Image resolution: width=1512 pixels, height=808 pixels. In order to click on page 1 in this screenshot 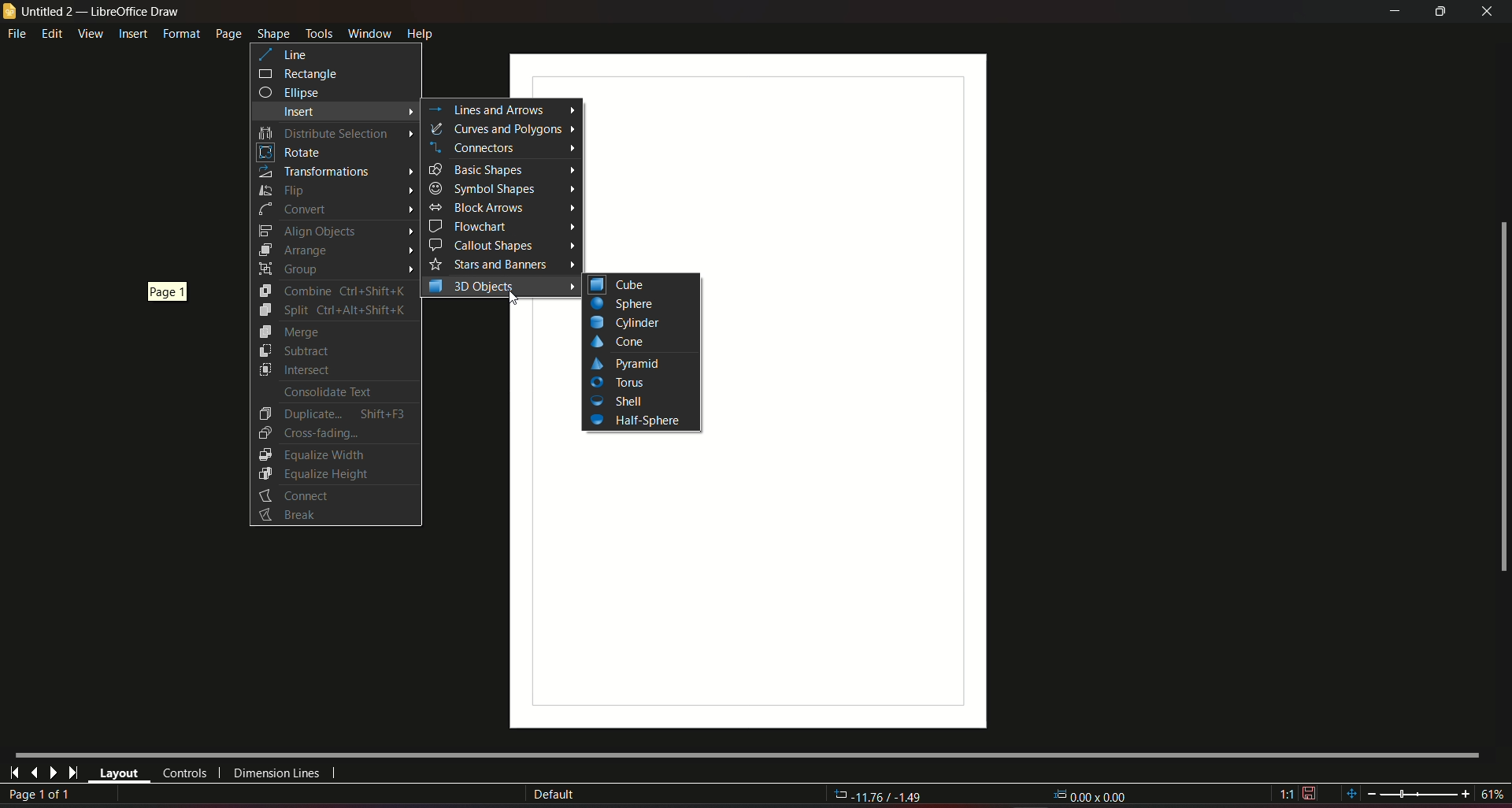, I will do `click(176, 293)`.